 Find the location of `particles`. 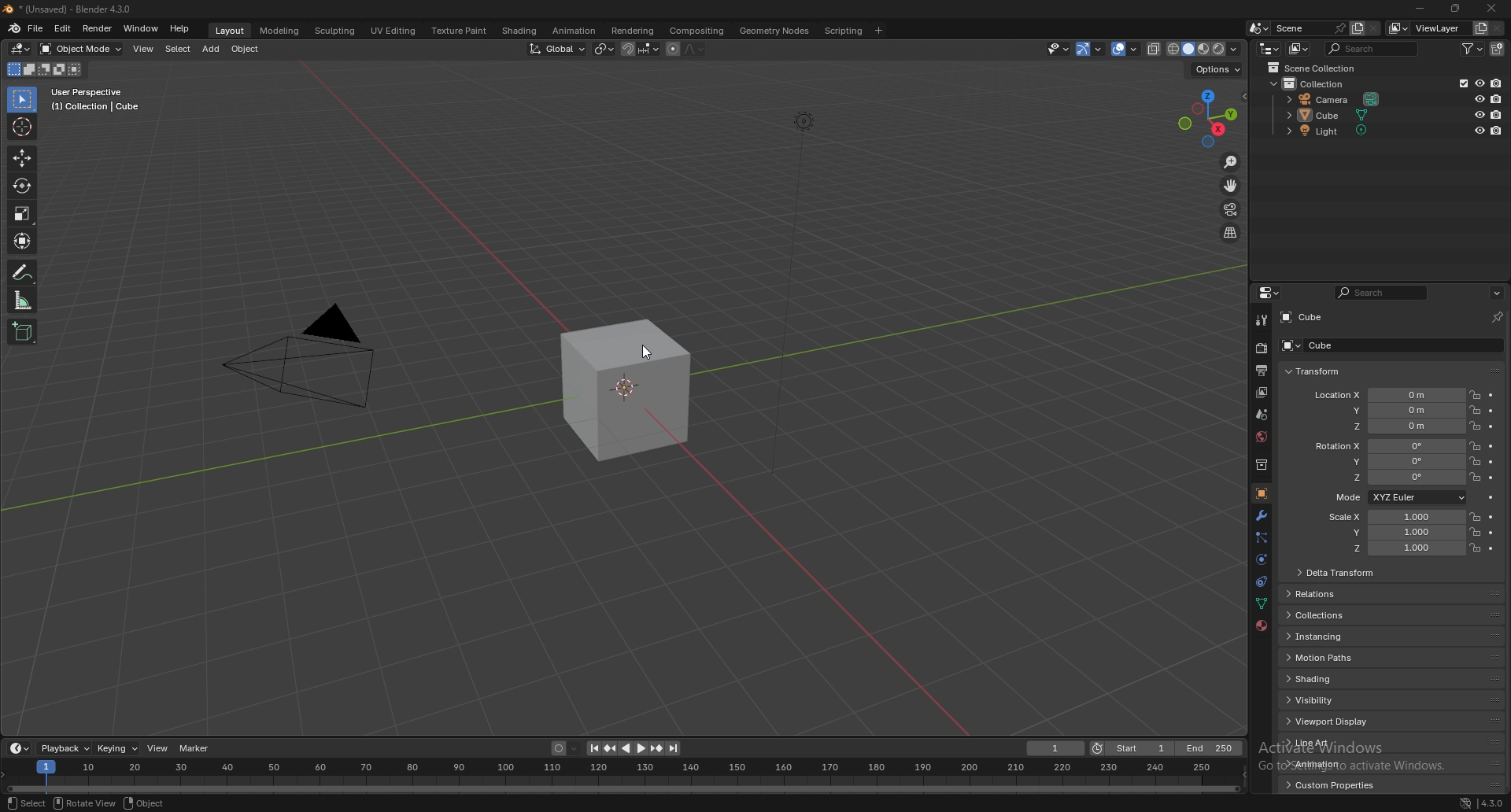

particles is located at coordinates (1260, 539).